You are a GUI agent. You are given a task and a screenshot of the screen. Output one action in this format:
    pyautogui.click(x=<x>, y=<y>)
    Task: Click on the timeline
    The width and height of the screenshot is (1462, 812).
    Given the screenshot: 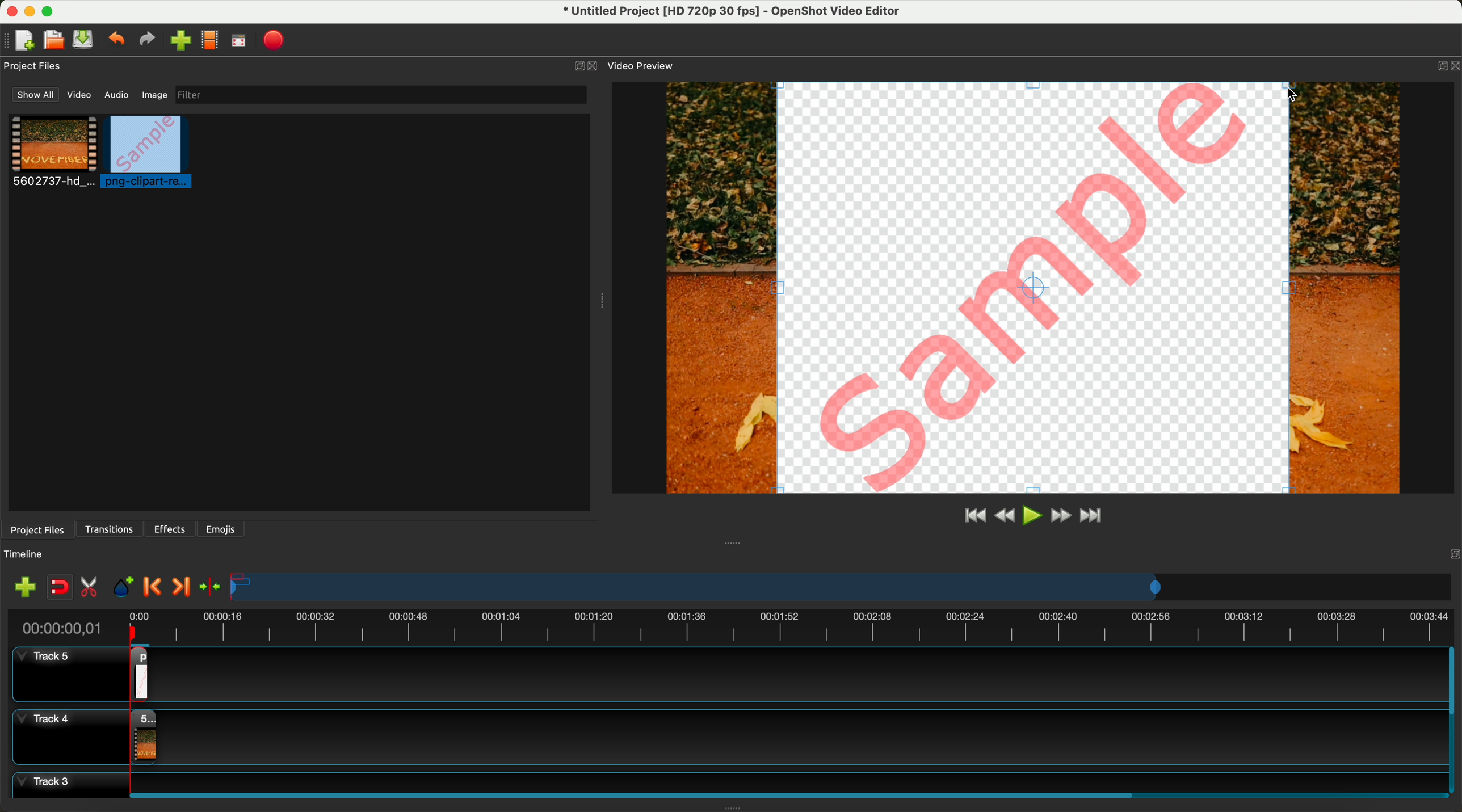 What is the action you would take?
    pyautogui.click(x=842, y=588)
    